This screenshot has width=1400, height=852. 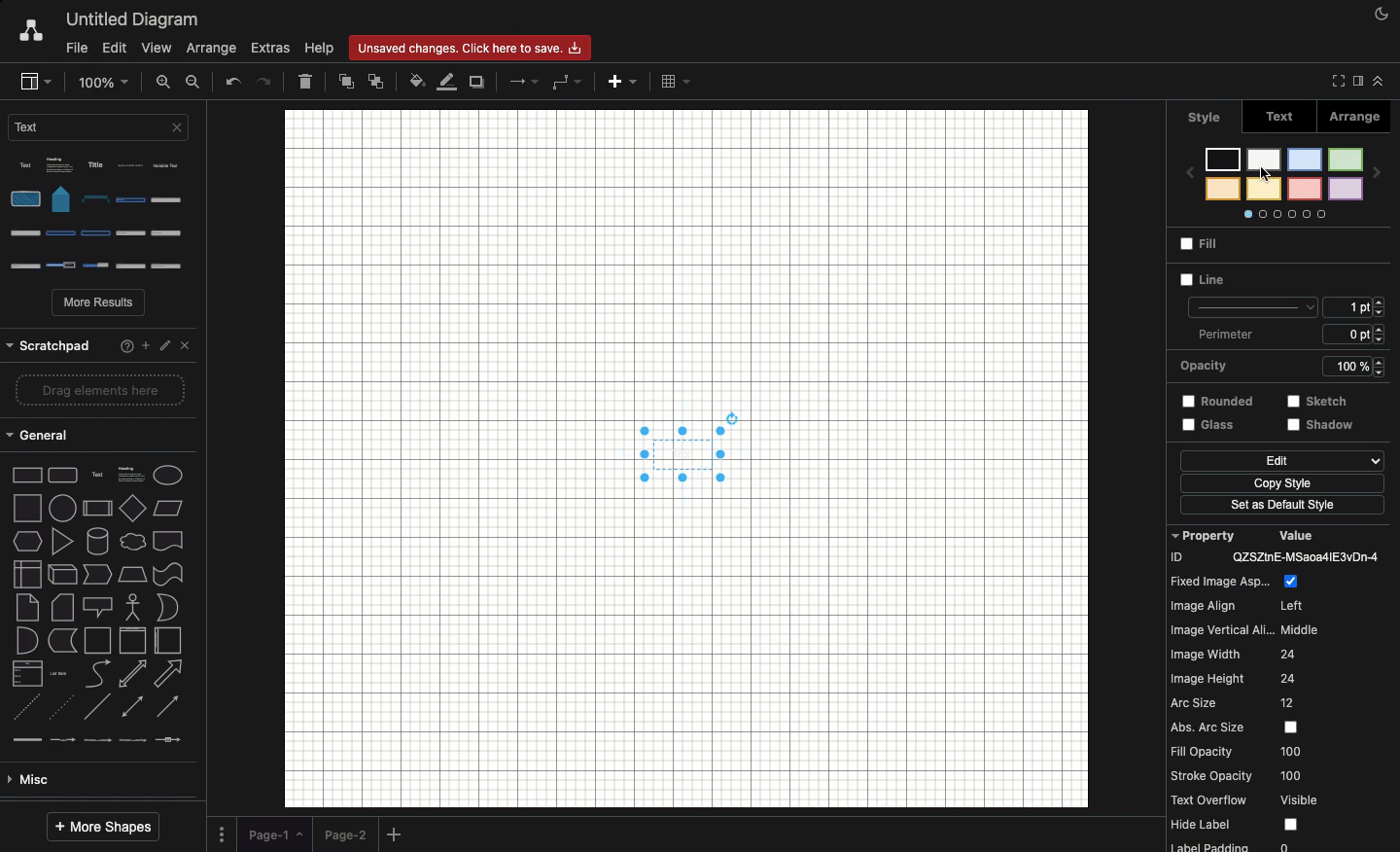 I want to click on More results, so click(x=100, y=304).